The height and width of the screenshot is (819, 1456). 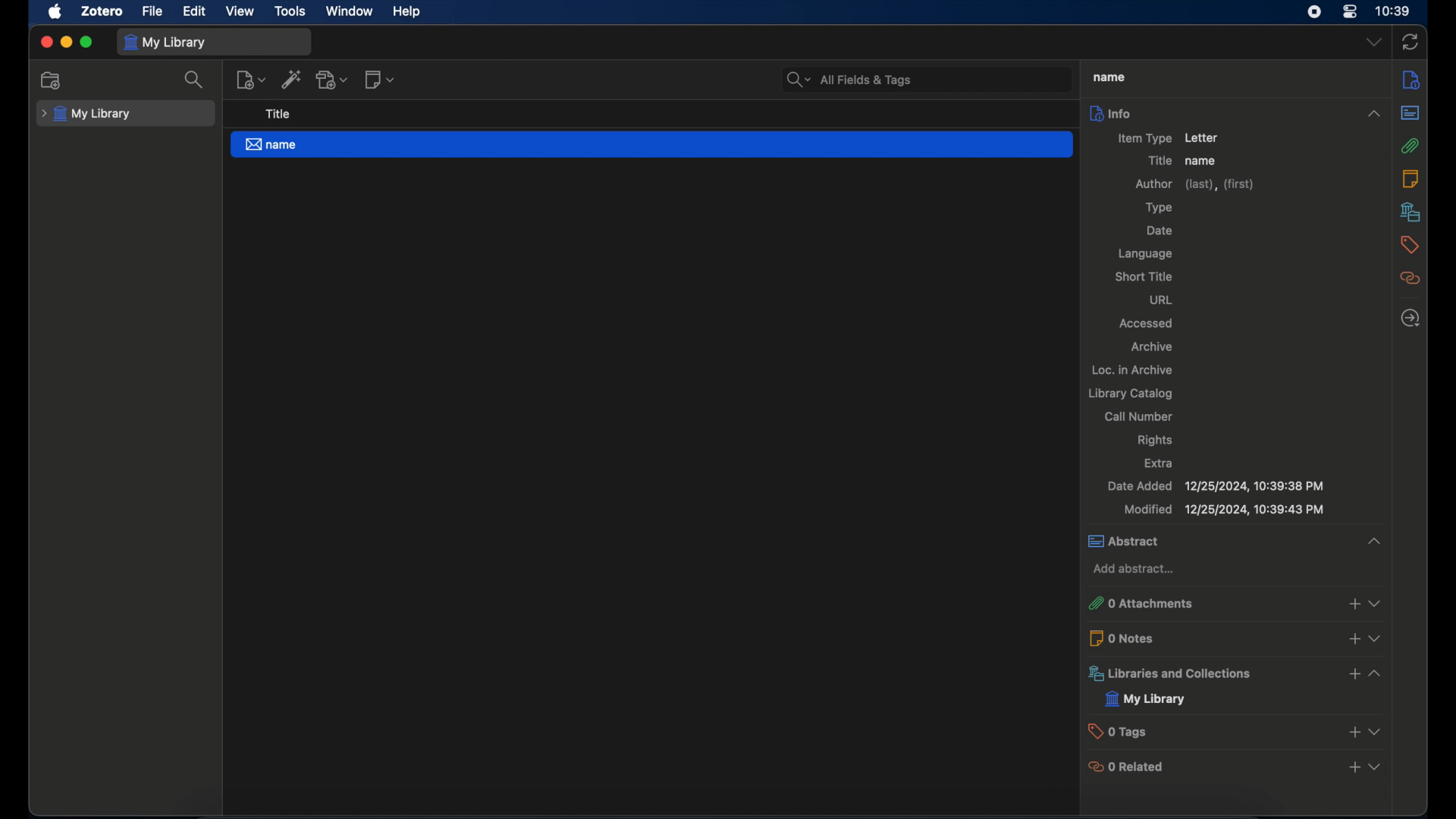 I want to click on new collection, so click(x=53, y=81).